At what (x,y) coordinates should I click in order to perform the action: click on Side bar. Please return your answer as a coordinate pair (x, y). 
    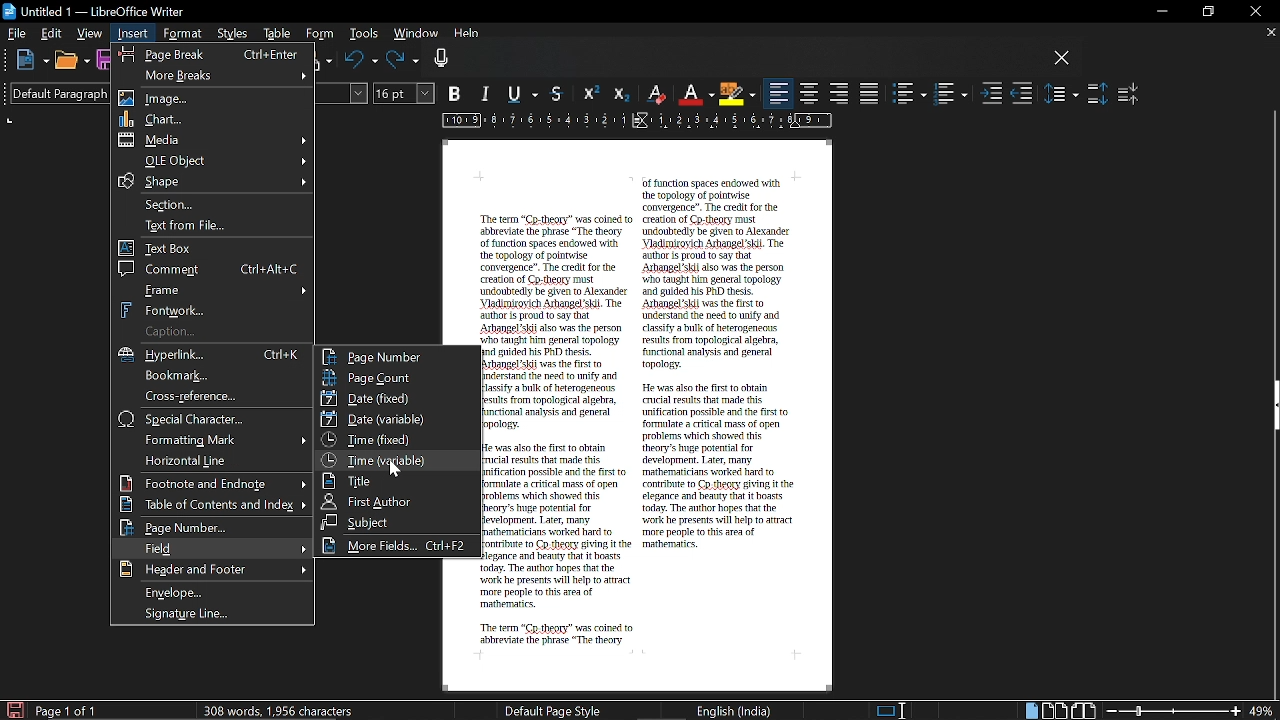
    Looking at the image, I should click on (1272, 408).